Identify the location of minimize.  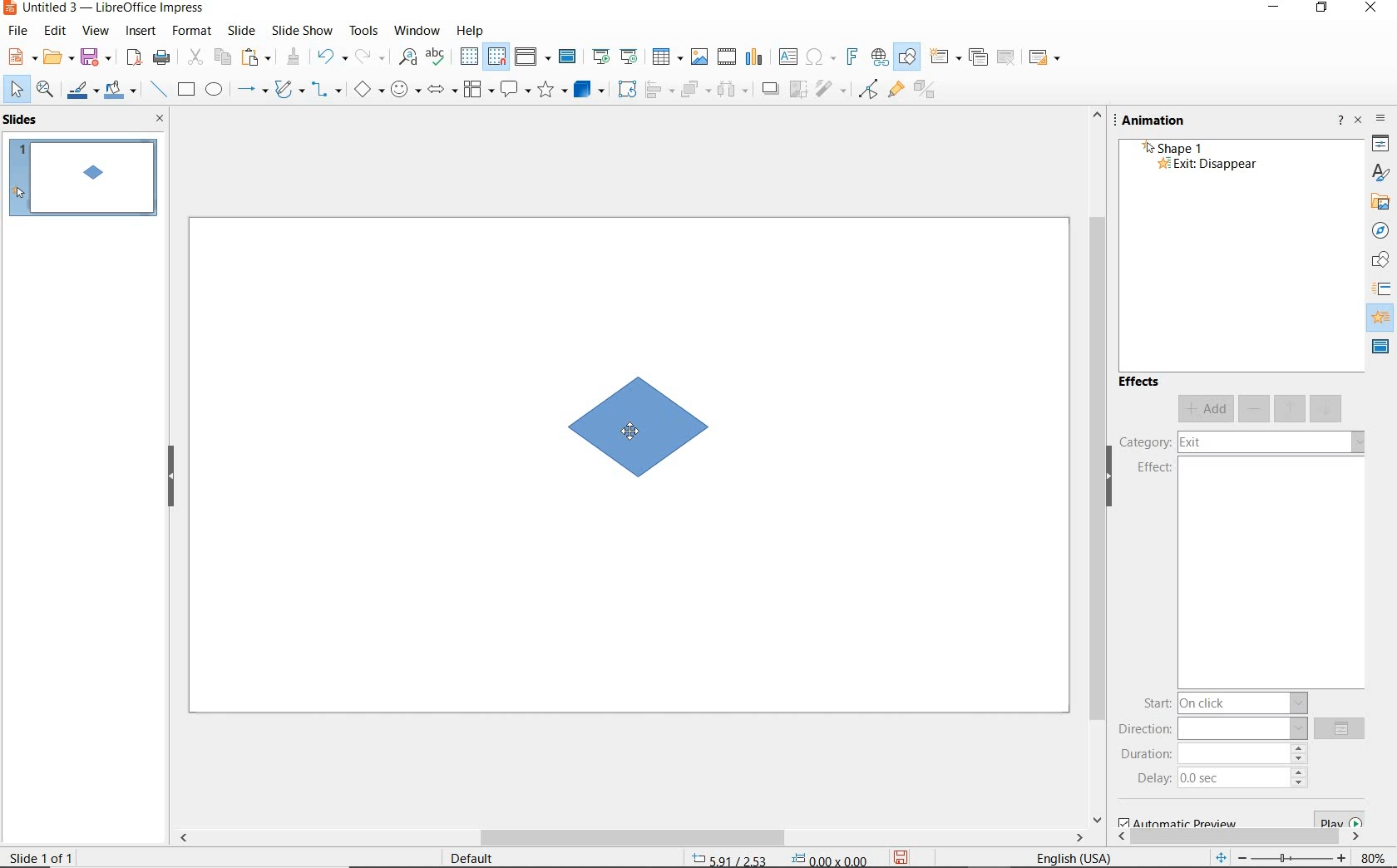
(1276, 8).